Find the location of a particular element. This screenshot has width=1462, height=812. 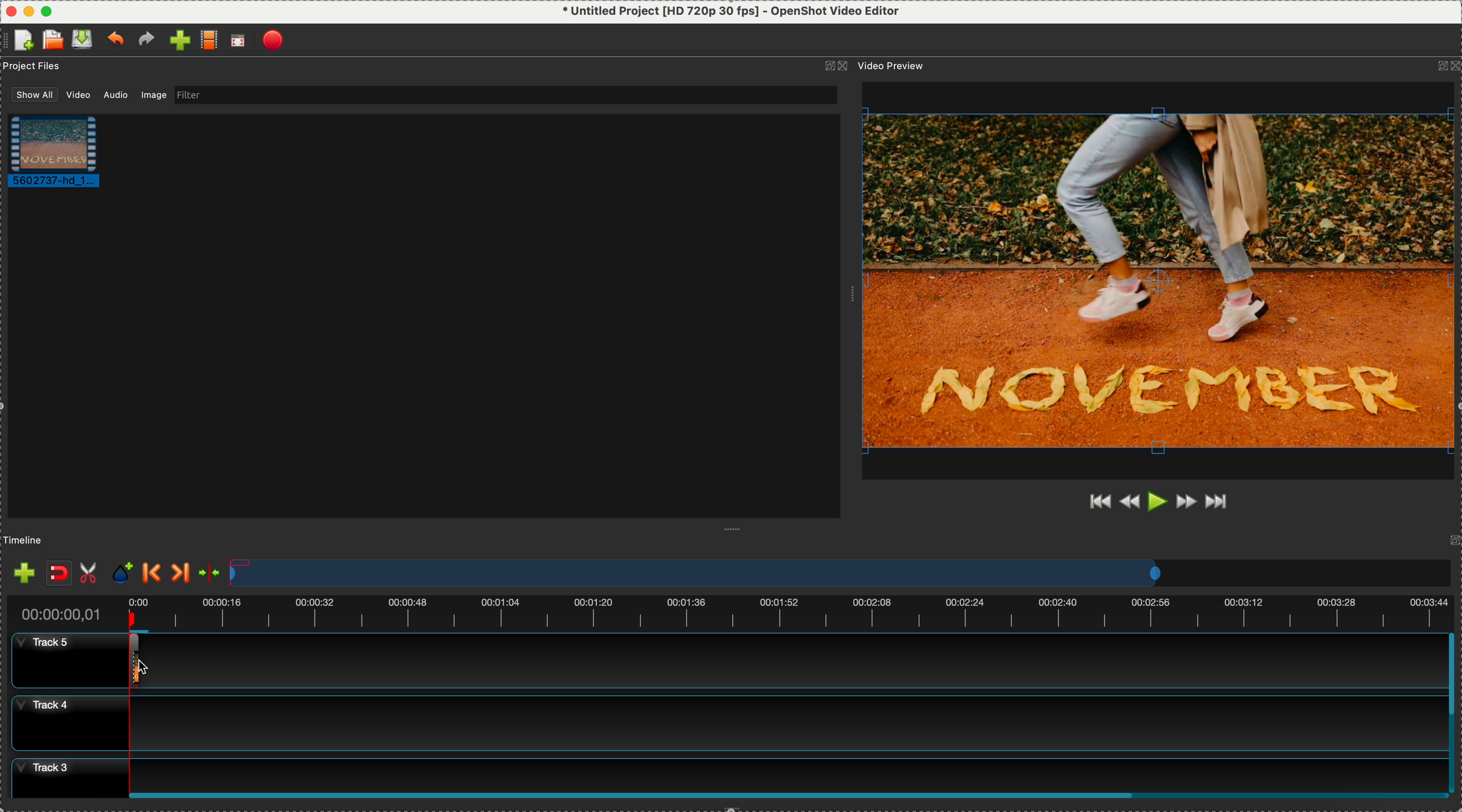

export video is located at coordinates (275, 40).